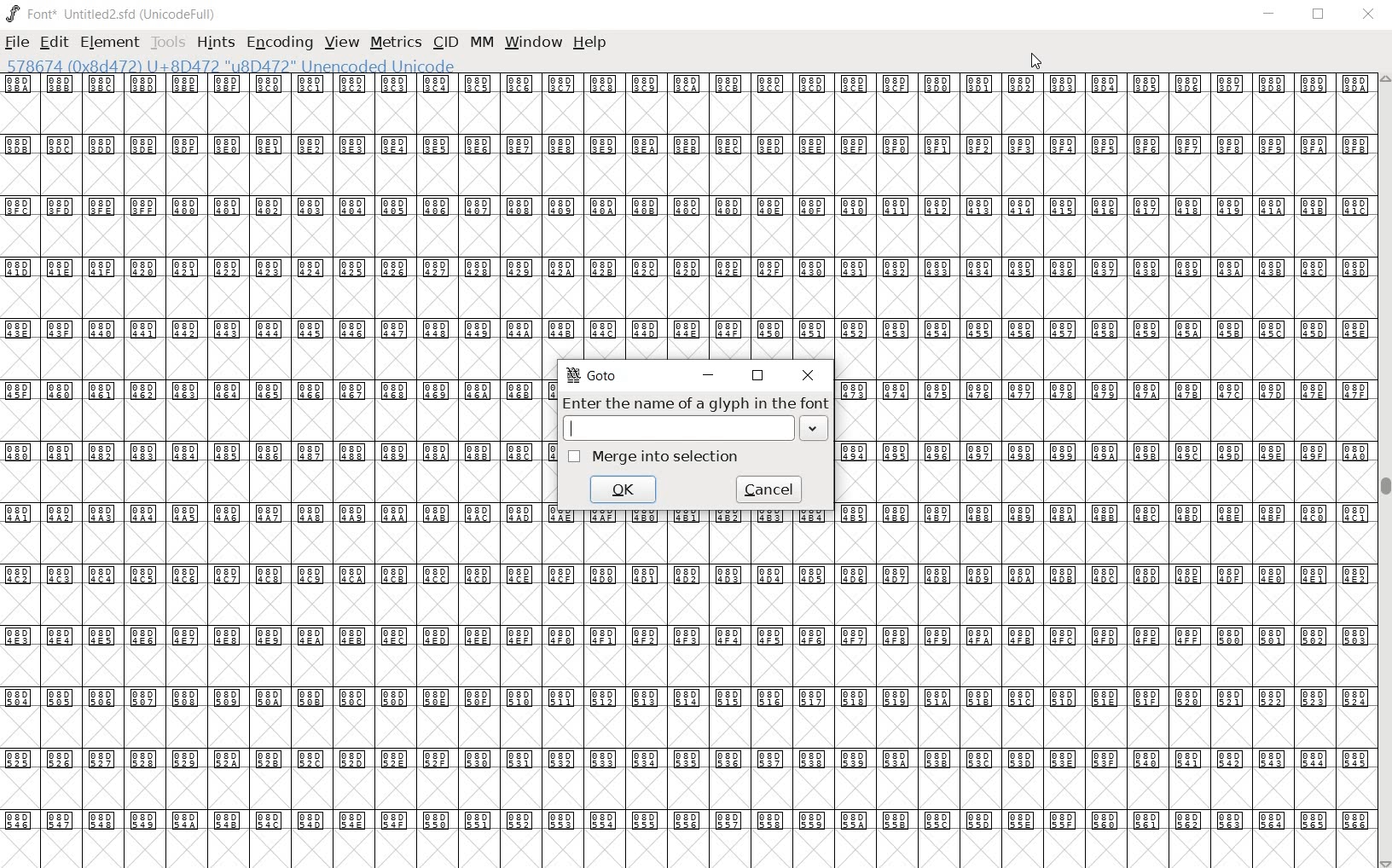 This screenshot has width=1392, height=868. What do you see at coordinates (591, 42) in the screenshot?
I see `help` at bounding box center [591, 42].